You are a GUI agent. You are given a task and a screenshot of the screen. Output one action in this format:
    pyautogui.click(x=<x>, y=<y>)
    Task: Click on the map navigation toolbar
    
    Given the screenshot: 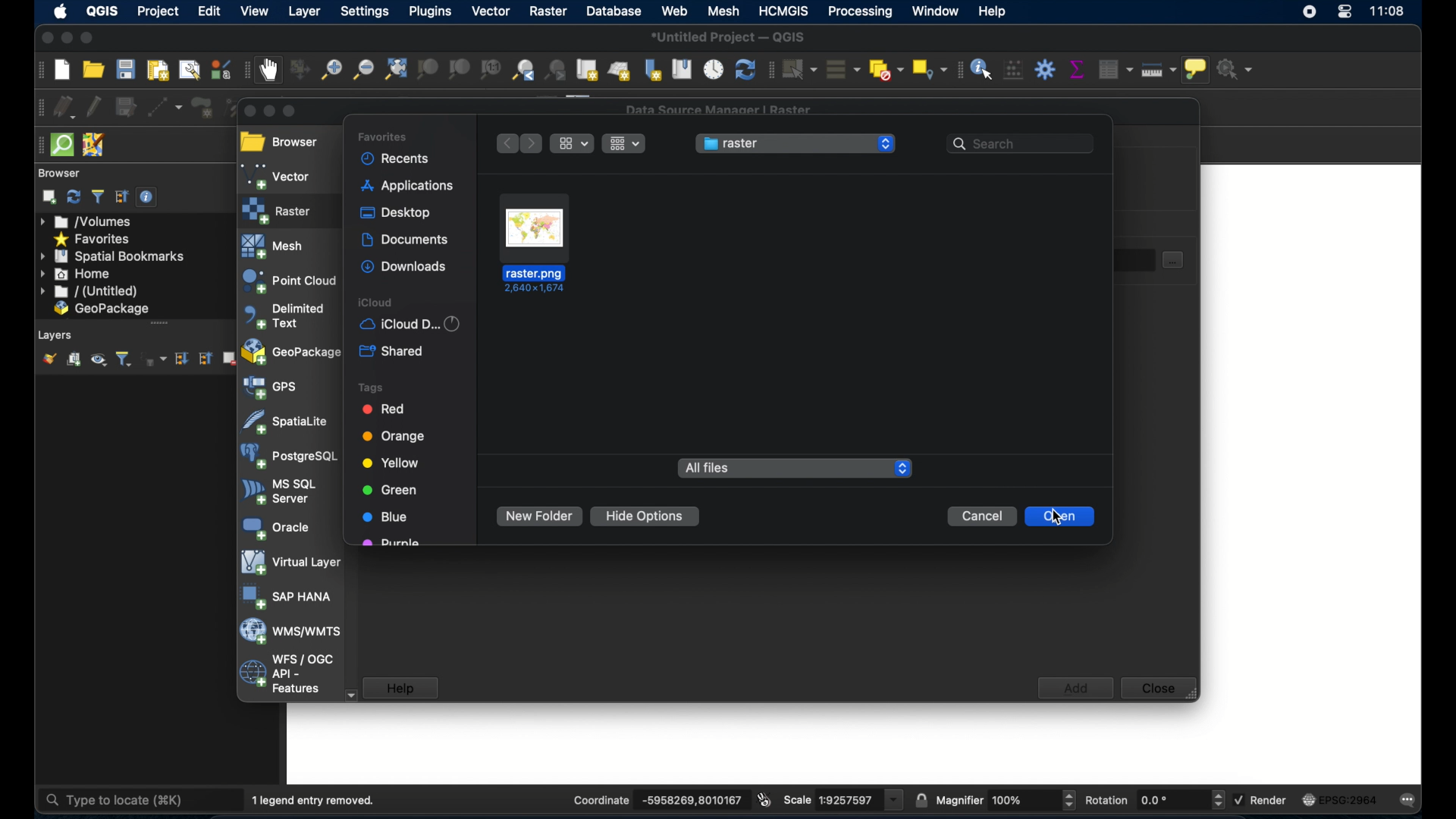 What is the action you would take?
    pyautogui.click(x=247, y=70)
    